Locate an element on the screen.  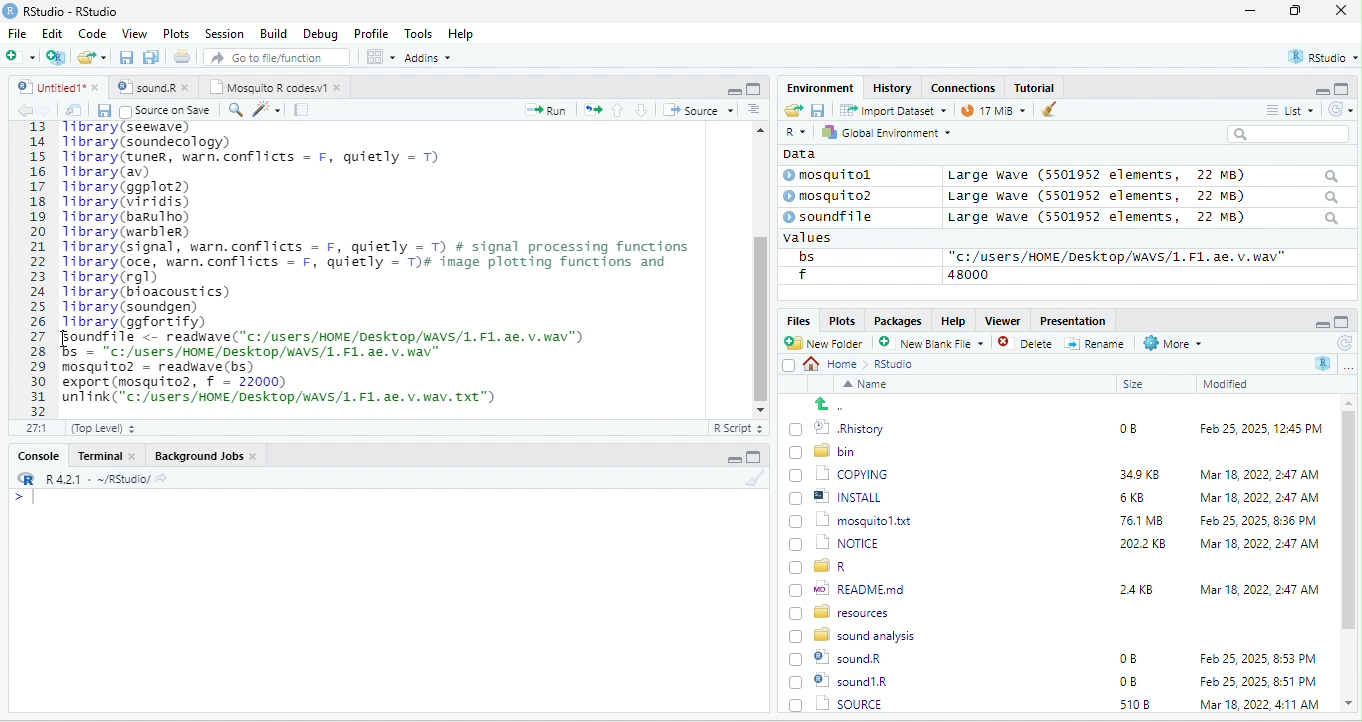
BD resources is located at coordinates (843, 610).